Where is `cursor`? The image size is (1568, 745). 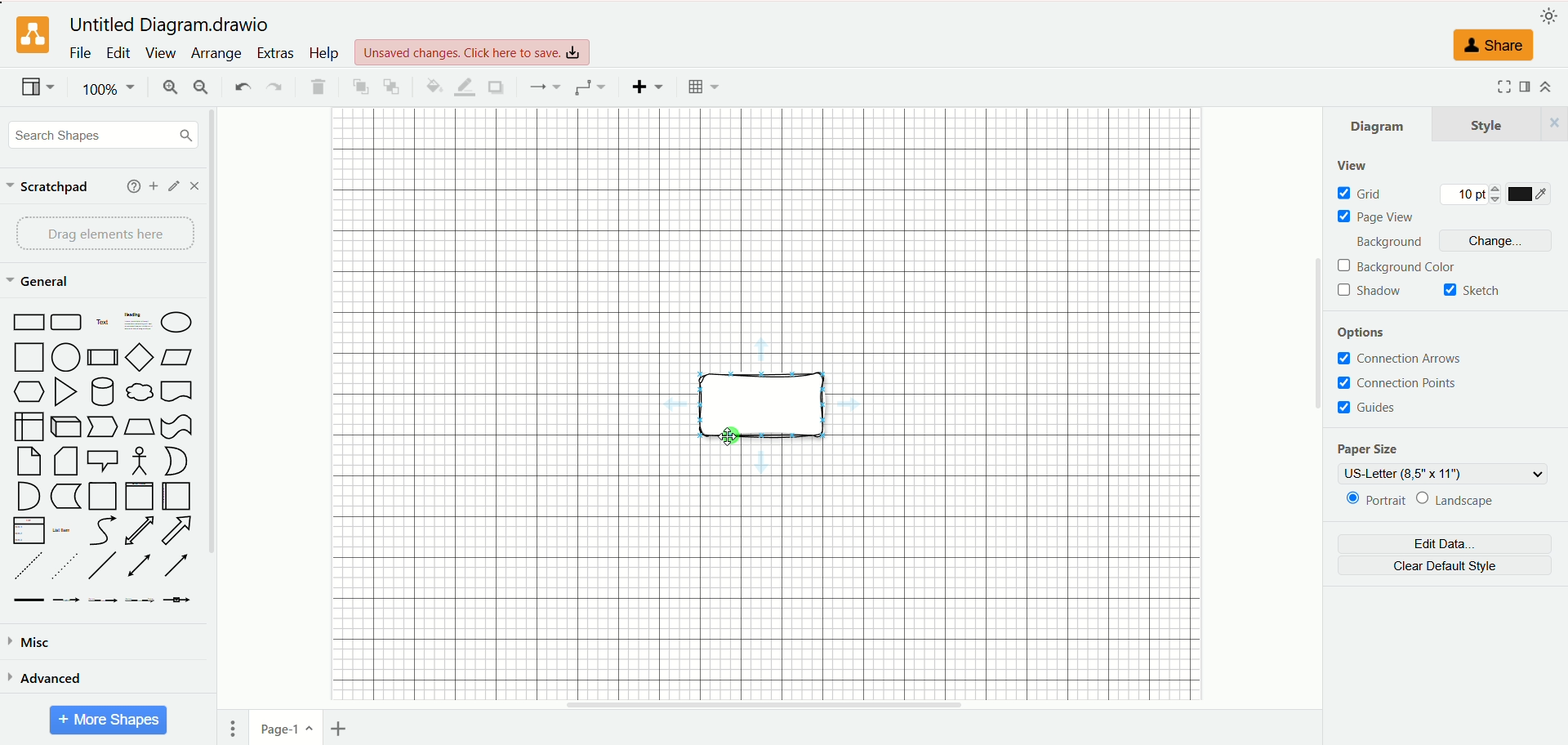
cursor is located at coordinates (733, 436).